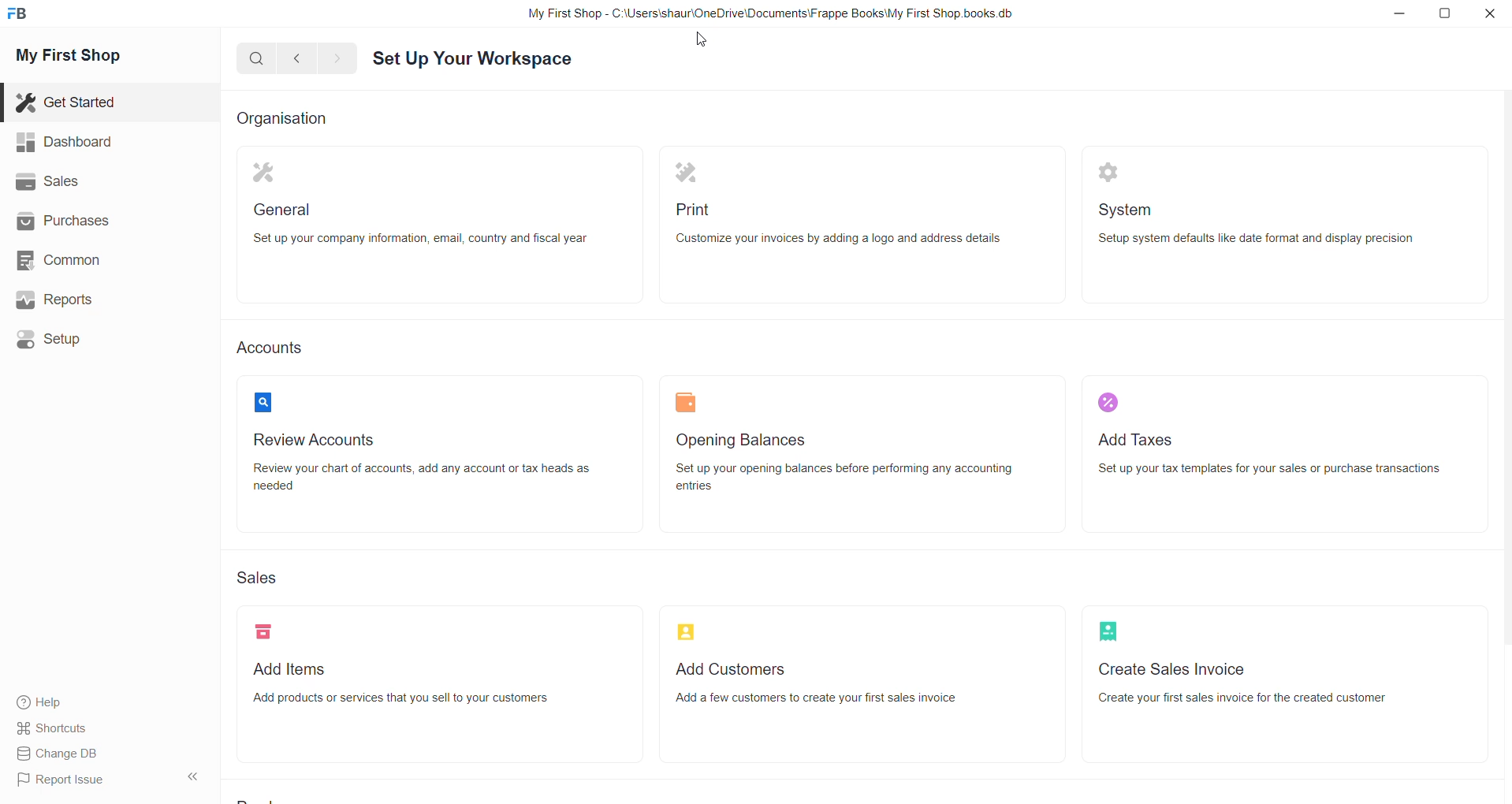  I want to click on minimize, so click(1396, 17).